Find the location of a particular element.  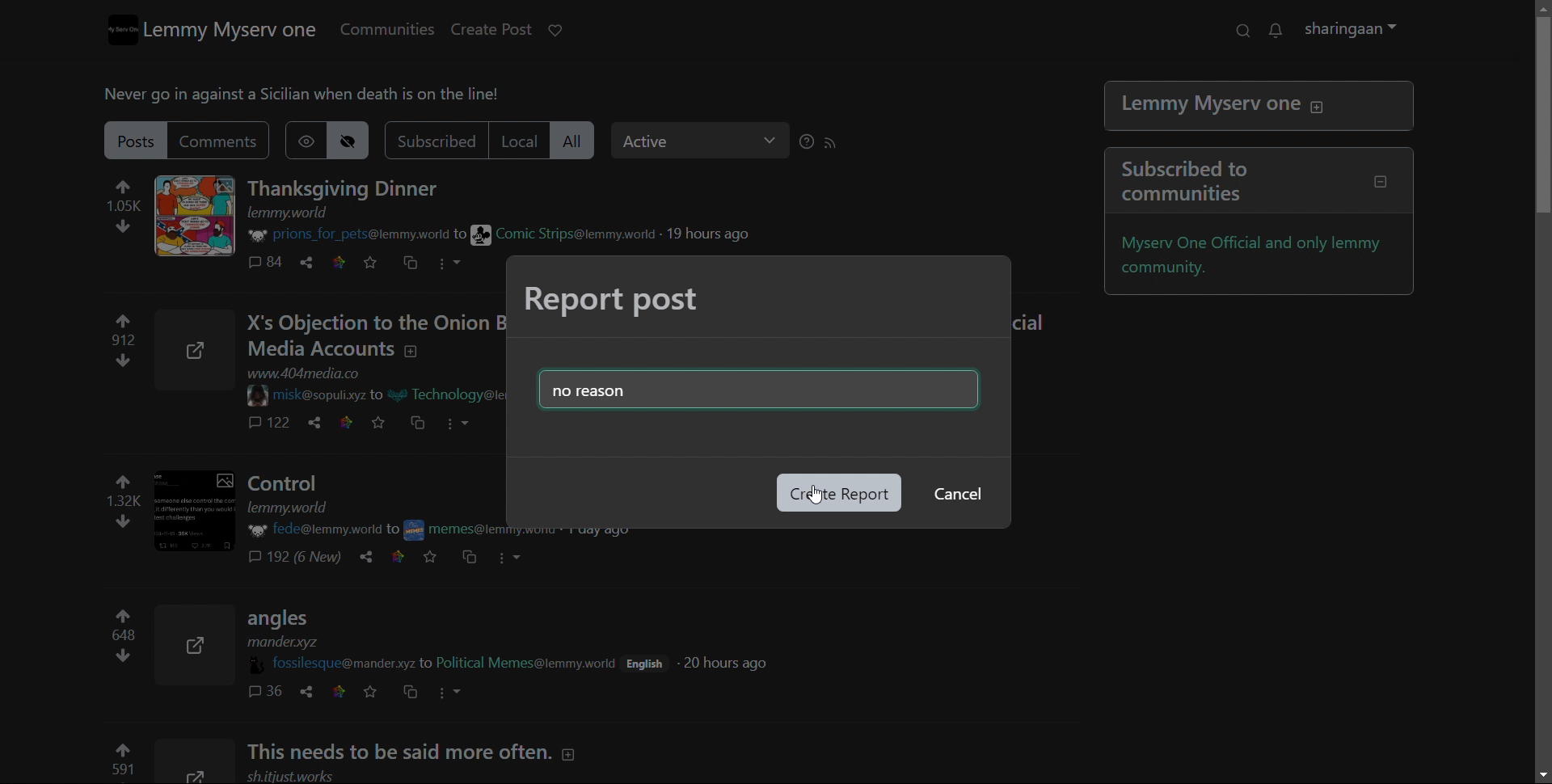

comment is located at coordinates (272, 263).